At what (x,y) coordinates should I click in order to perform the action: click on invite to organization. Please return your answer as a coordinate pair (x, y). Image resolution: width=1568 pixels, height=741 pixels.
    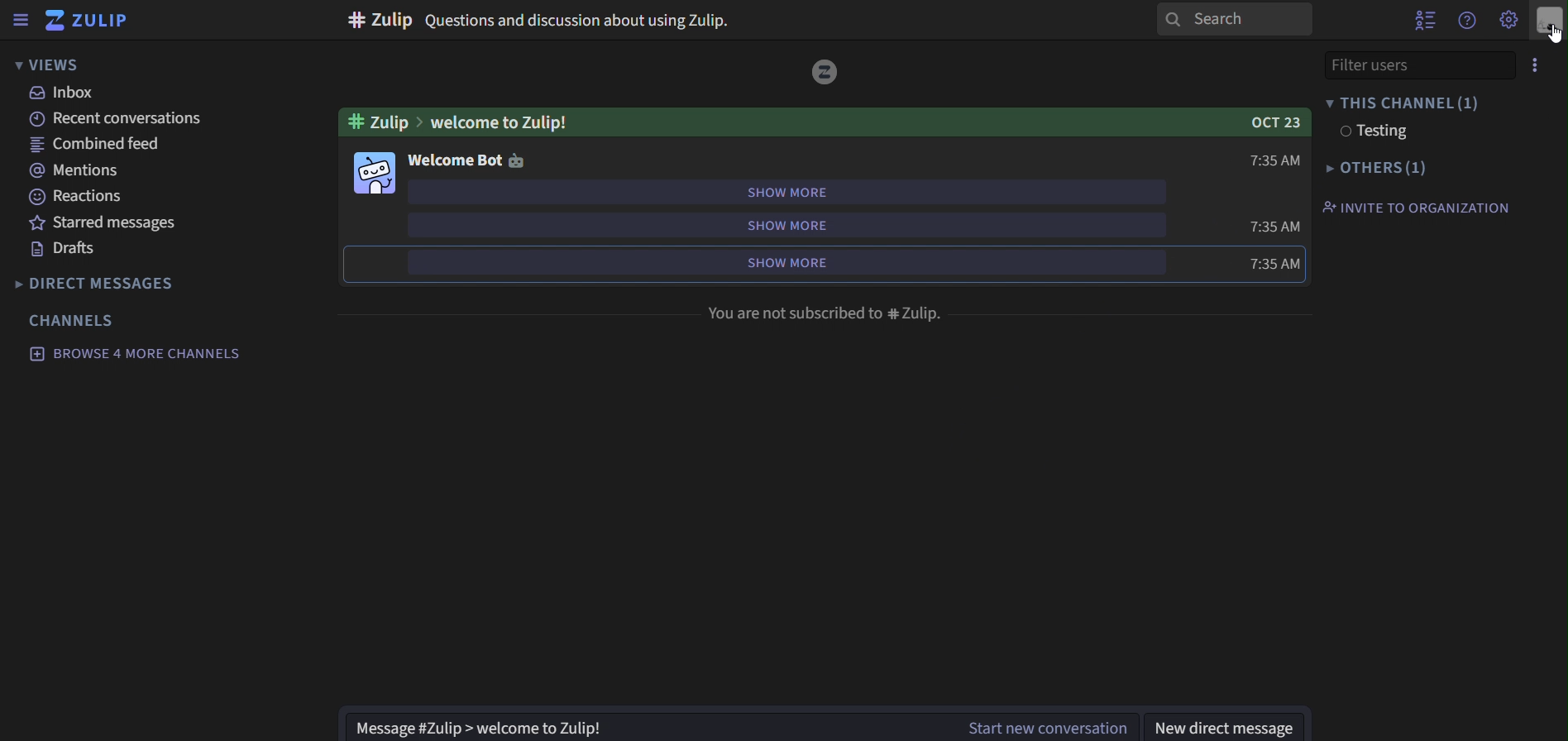
    Looking at the image, I should click on (1415, 207).